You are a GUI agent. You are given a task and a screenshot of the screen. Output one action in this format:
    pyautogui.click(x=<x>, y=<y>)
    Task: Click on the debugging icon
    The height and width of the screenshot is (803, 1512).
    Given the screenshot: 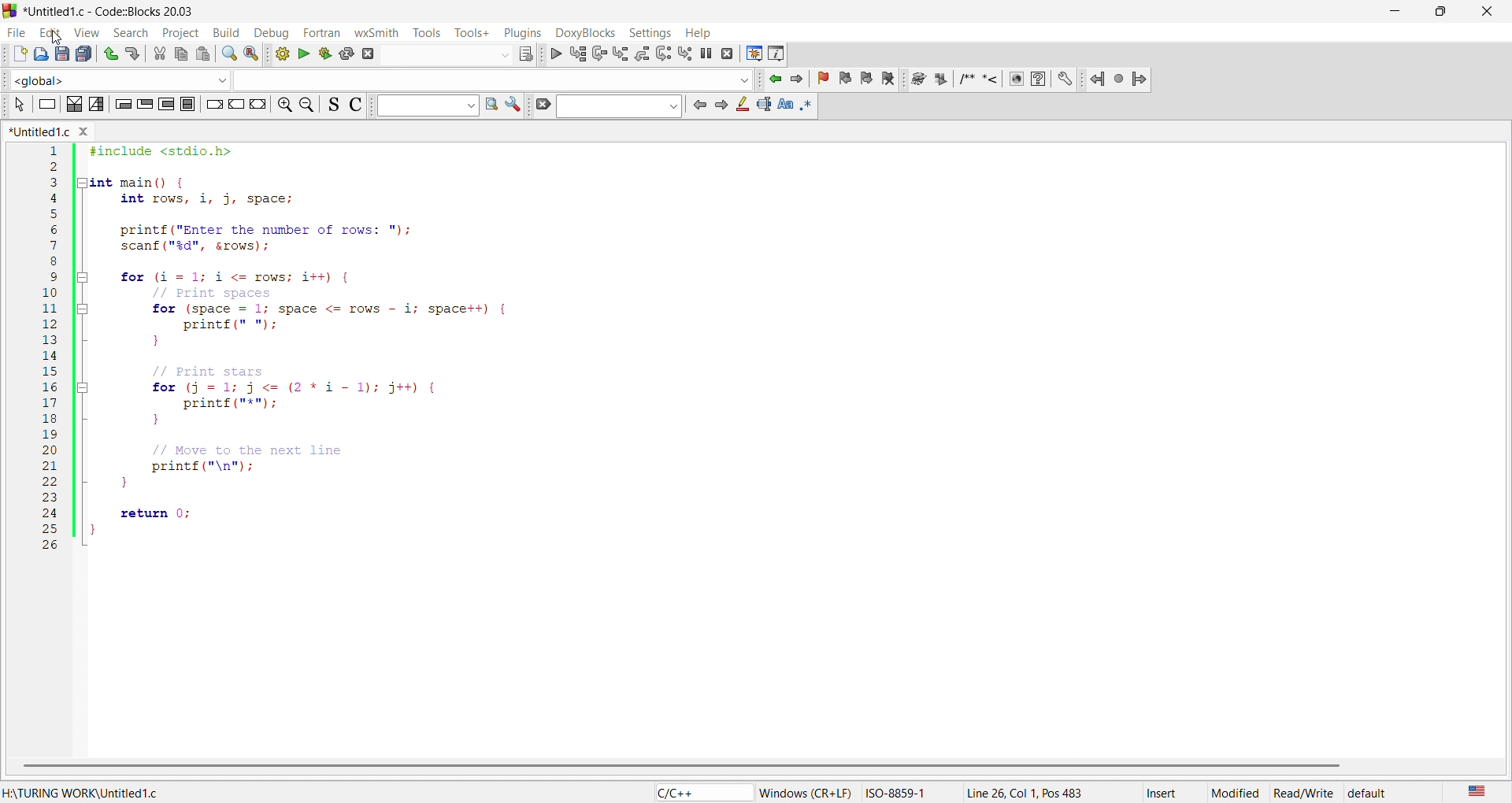 What is the action you would take?
    pyautogui.click(x=643, y=52)
    